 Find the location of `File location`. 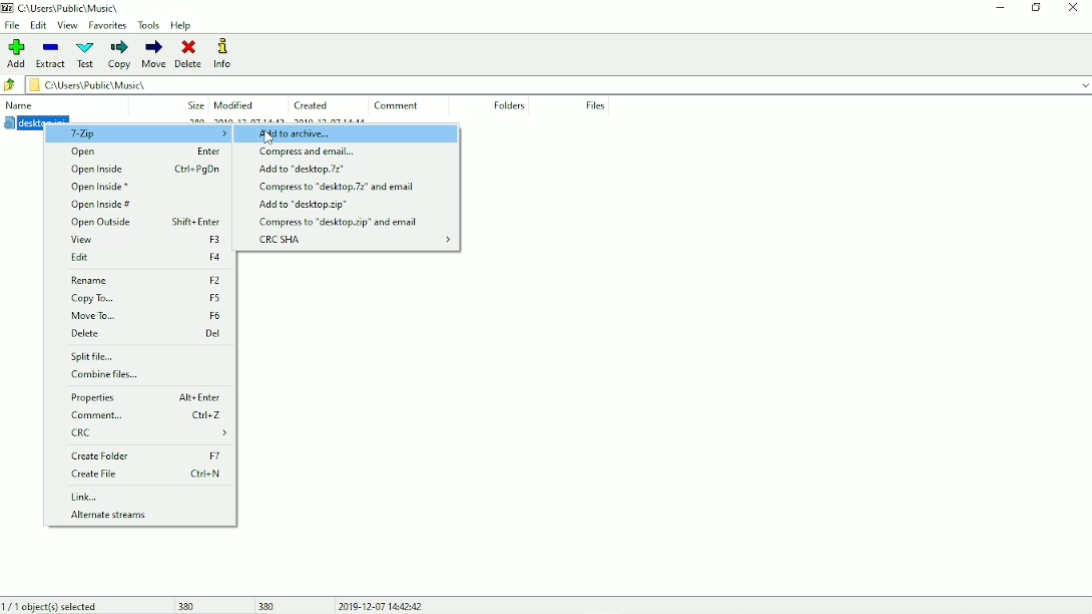

File location is located at coordinates (558, 84).